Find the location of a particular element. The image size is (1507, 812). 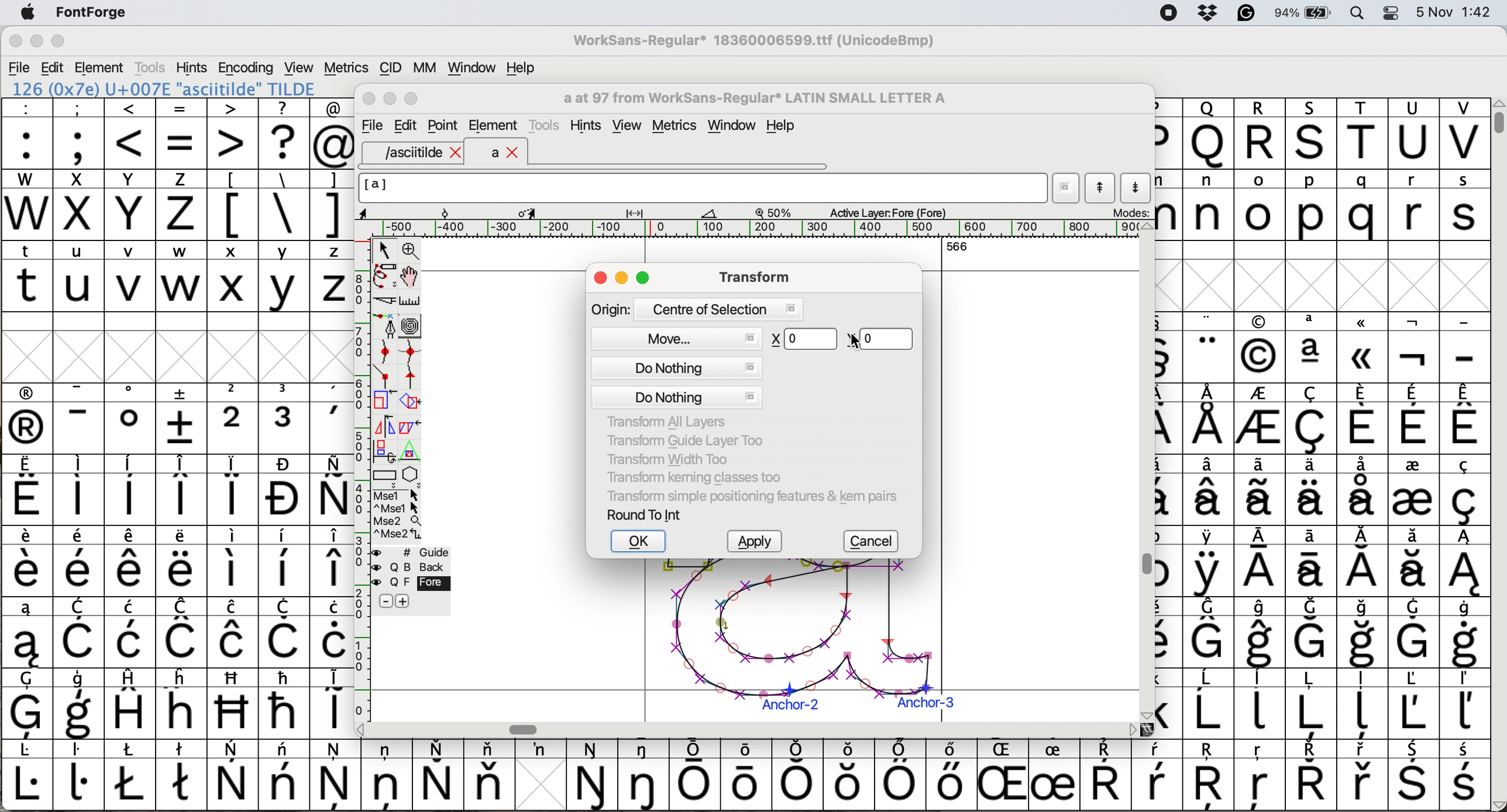

star or polygon is located at coordinates (411, 474).